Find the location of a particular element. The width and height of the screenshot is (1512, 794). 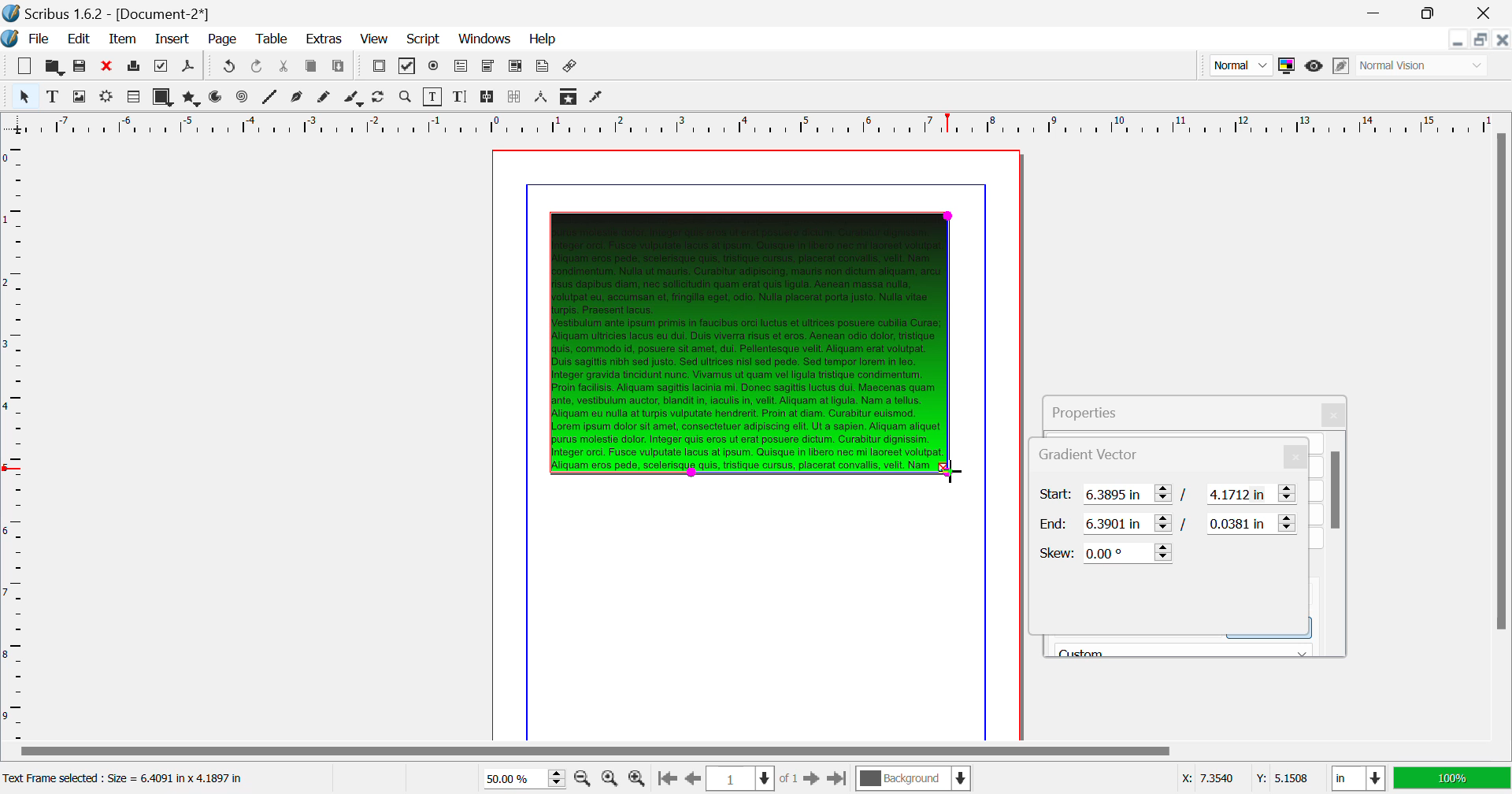

Freehand is located at coordinates (326, 98).